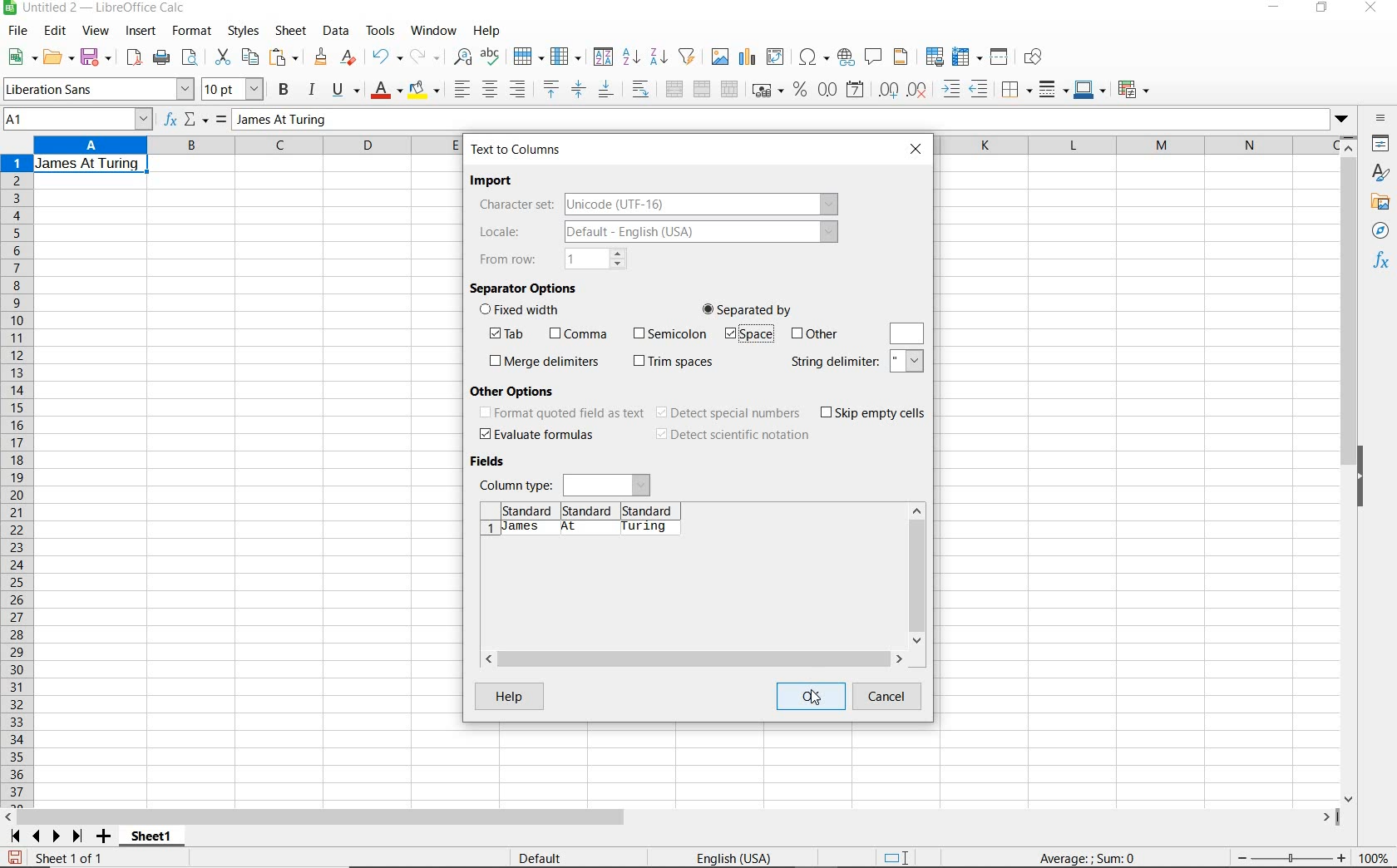  I want to click on clone formatting, so click(320, 57).